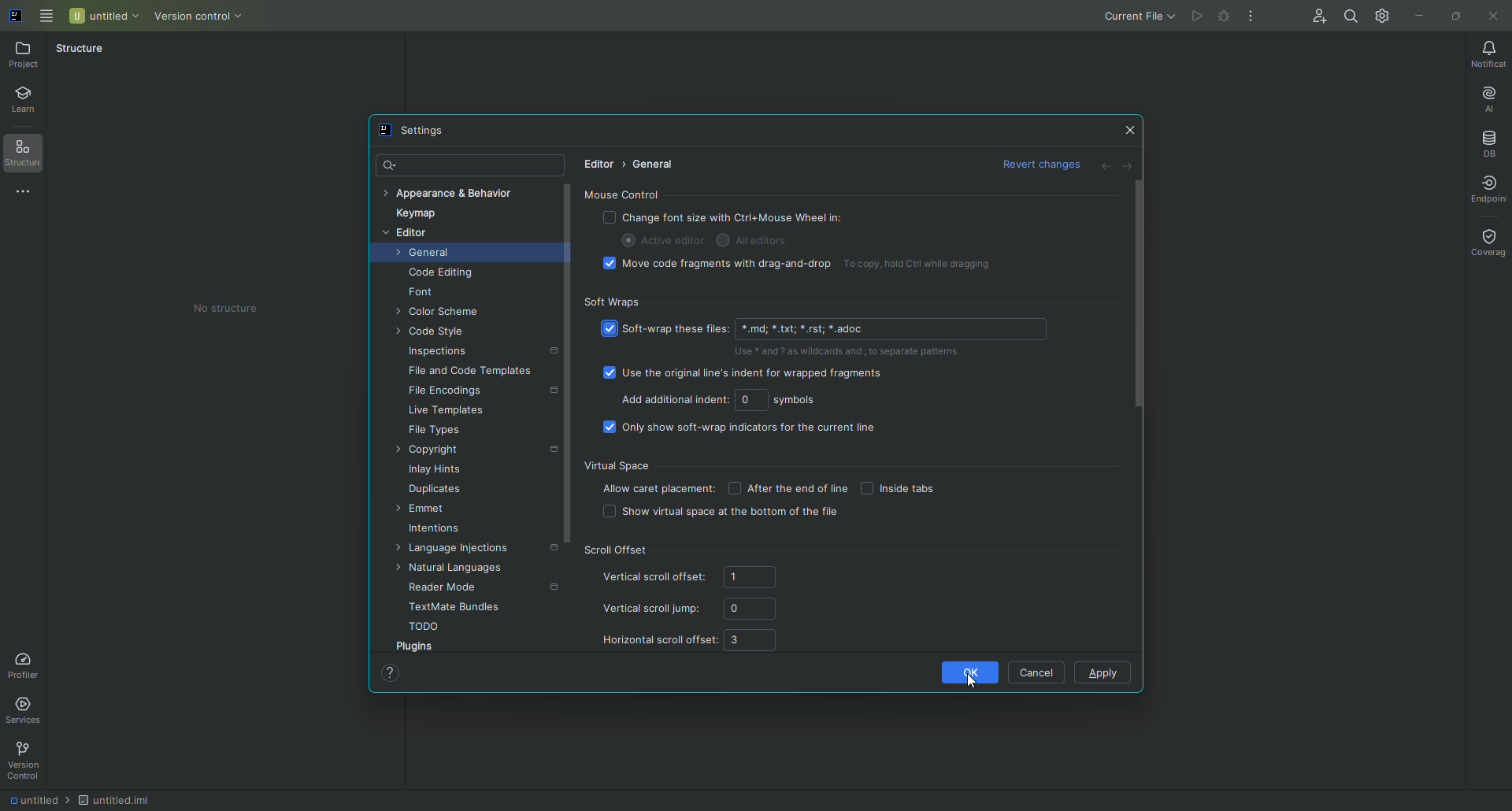 The height and width of the screenshot is (811, 1512). Describe the element at coordinates (565, 383) in the screenshot. I see `Vertical Scroll Down ` at that location.